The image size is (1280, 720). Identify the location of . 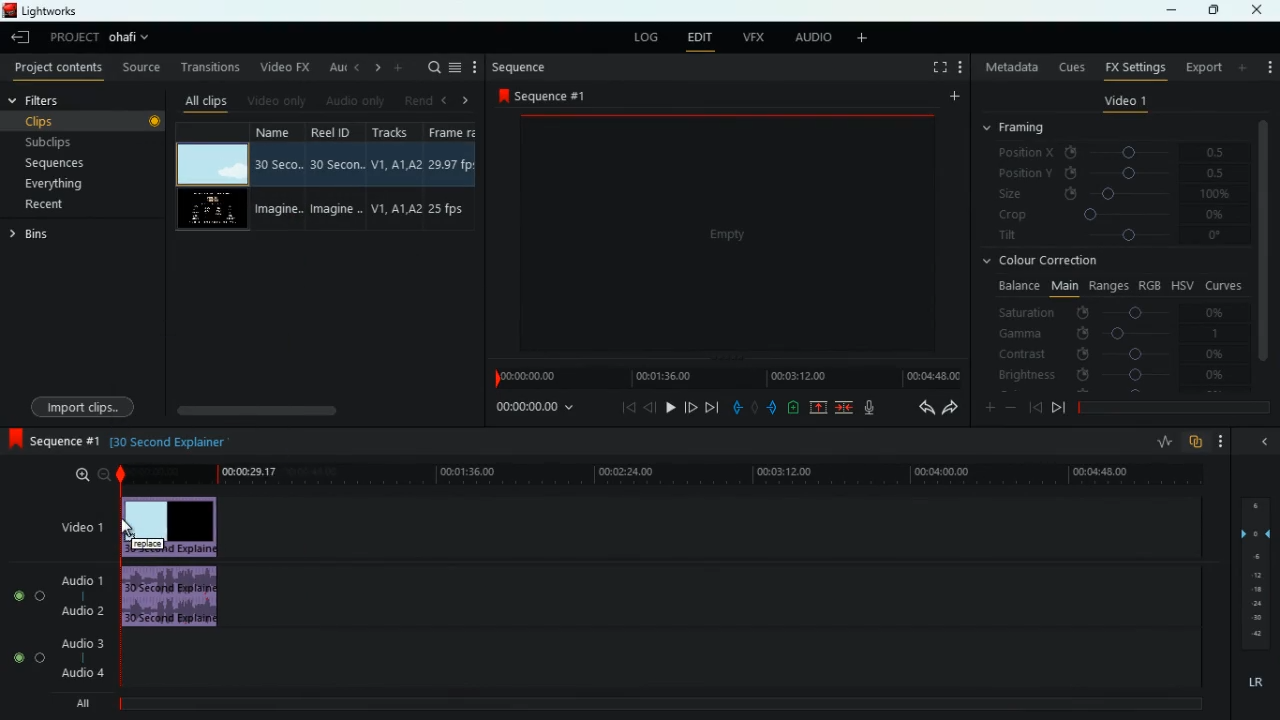
(1256, 619).